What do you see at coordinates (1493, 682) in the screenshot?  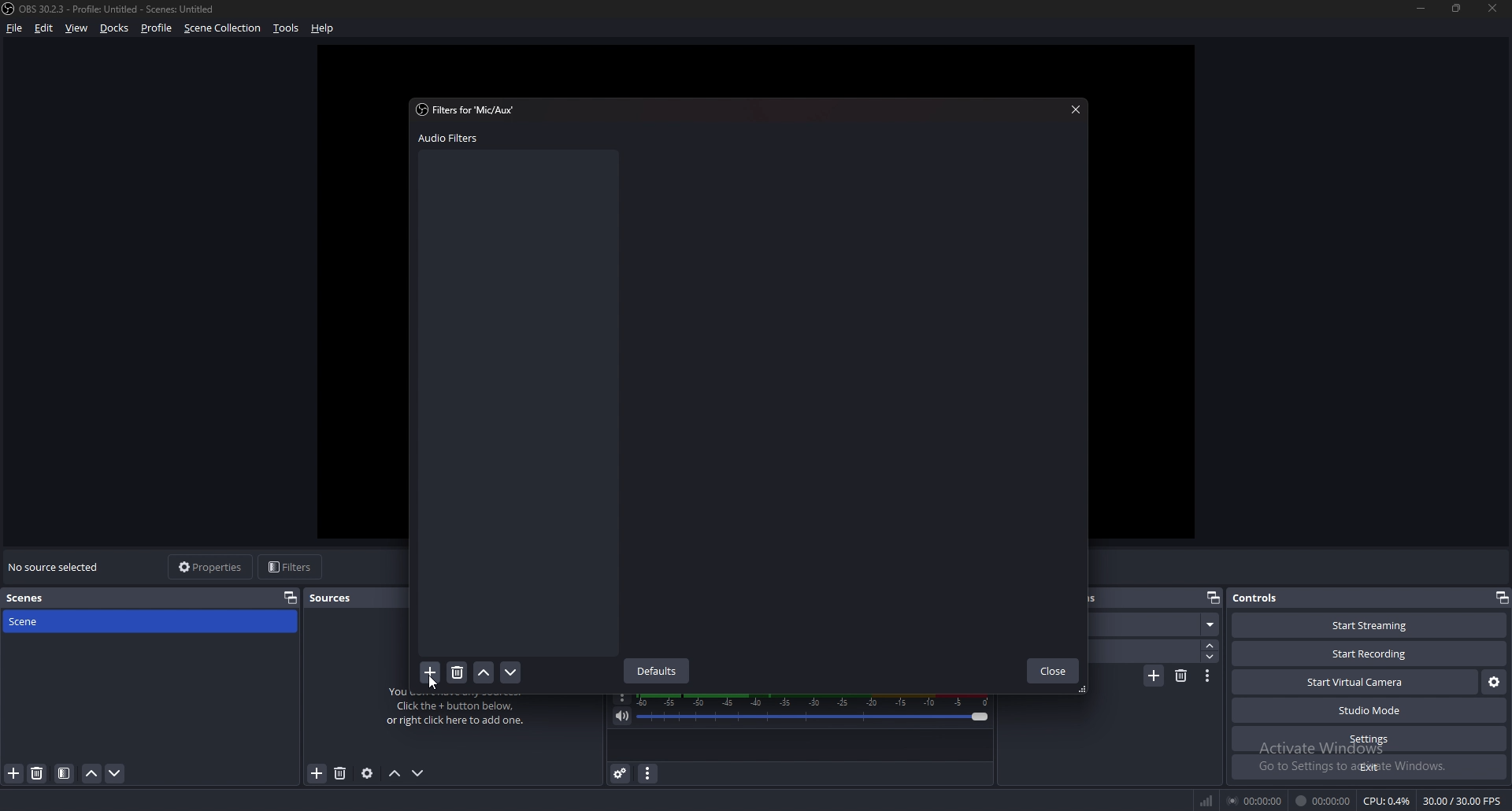 I see `virtual camera settings` at bounding box center [1493, 682].